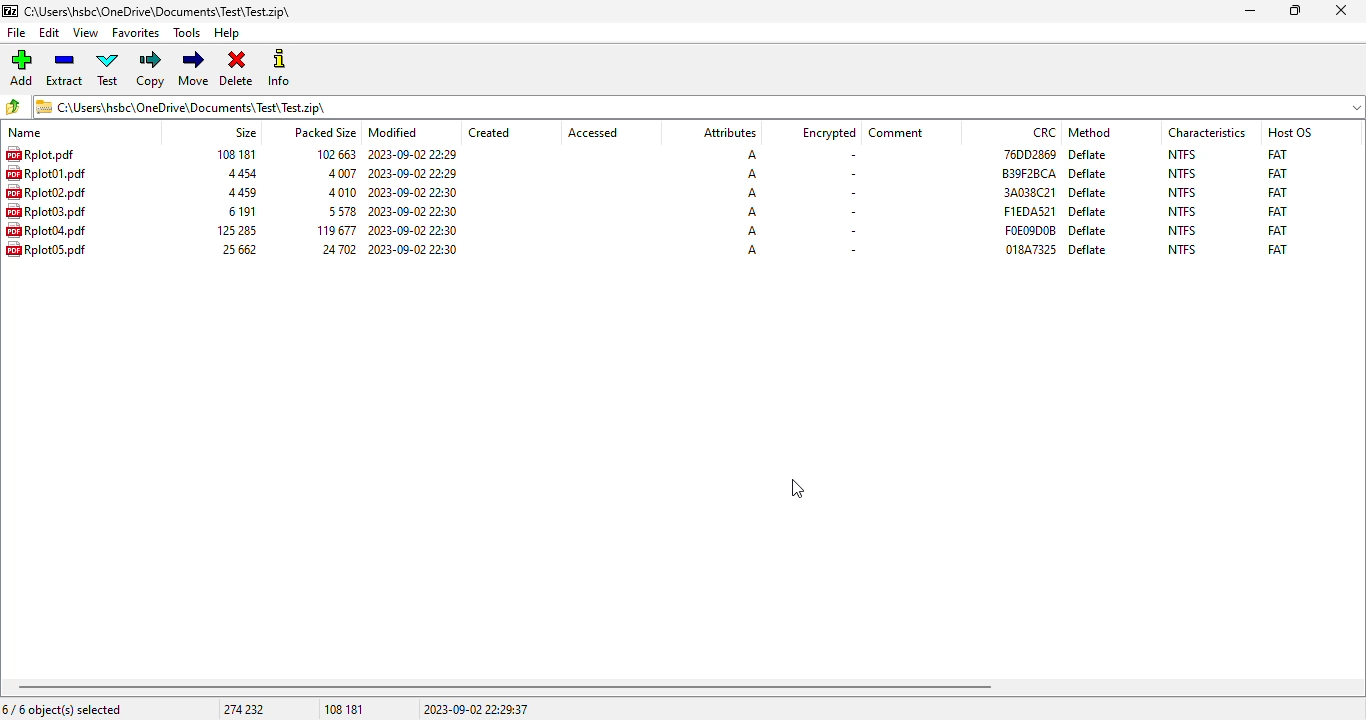 Image resolution: width=1366 pixels, height=720 pixels. I want to click on file, so click(18, 33).